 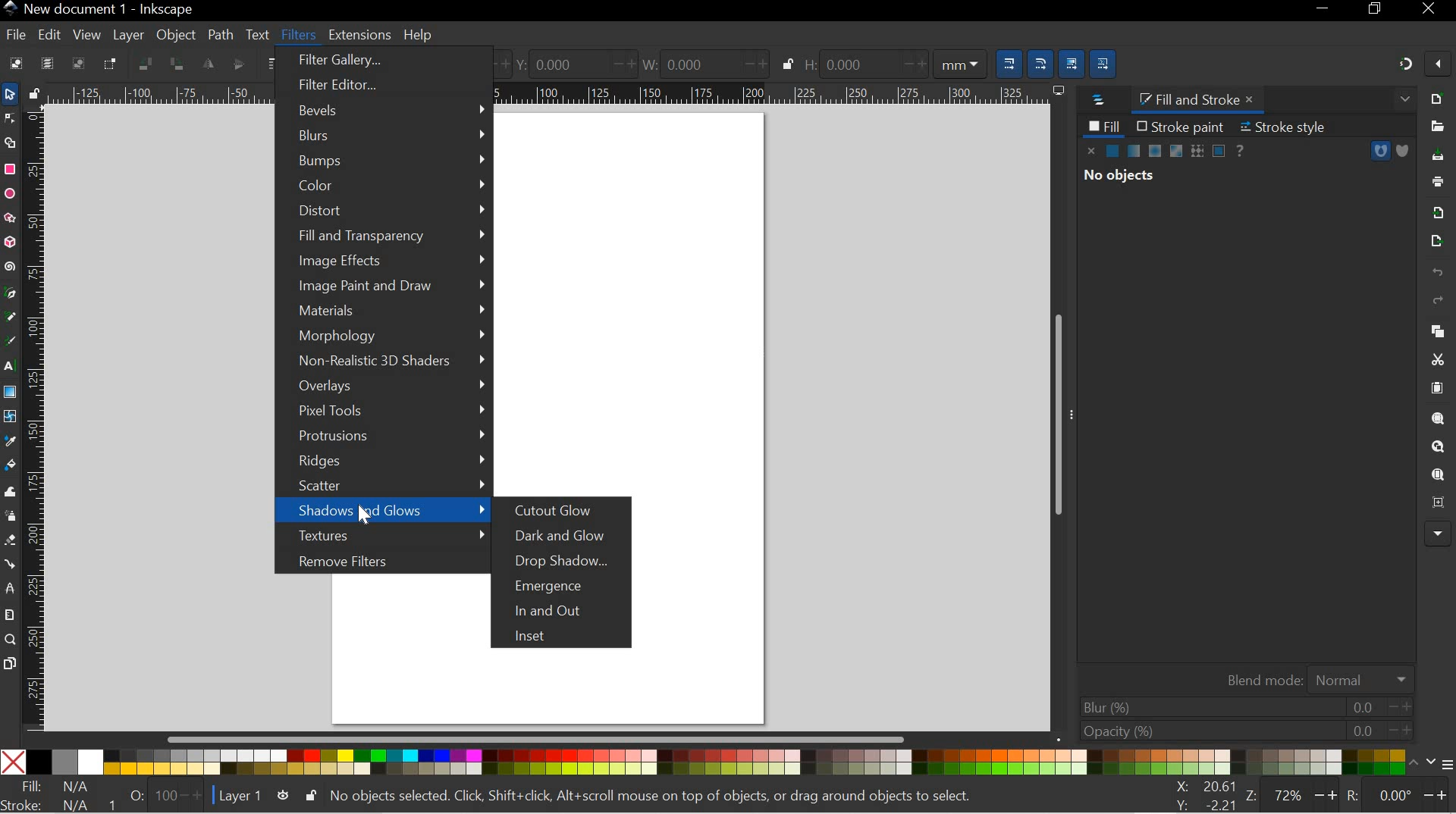 What do you see at coordinates (1438, 98) in the screenshot?
I see `NEW` at bounding box center [1438, 98].